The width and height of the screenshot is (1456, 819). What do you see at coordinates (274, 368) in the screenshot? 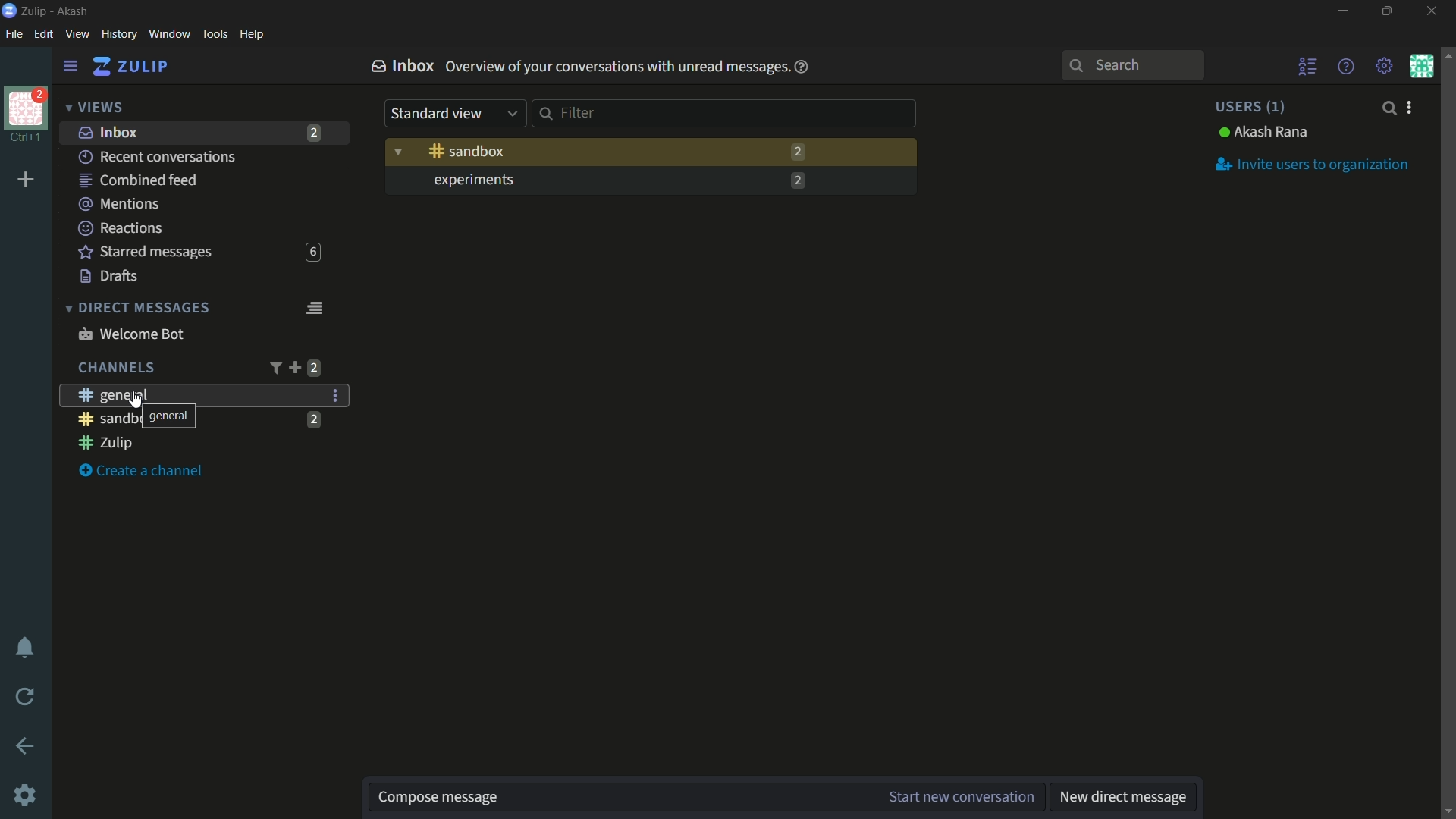
I see `filter channels` at bounding box center [274, 368].